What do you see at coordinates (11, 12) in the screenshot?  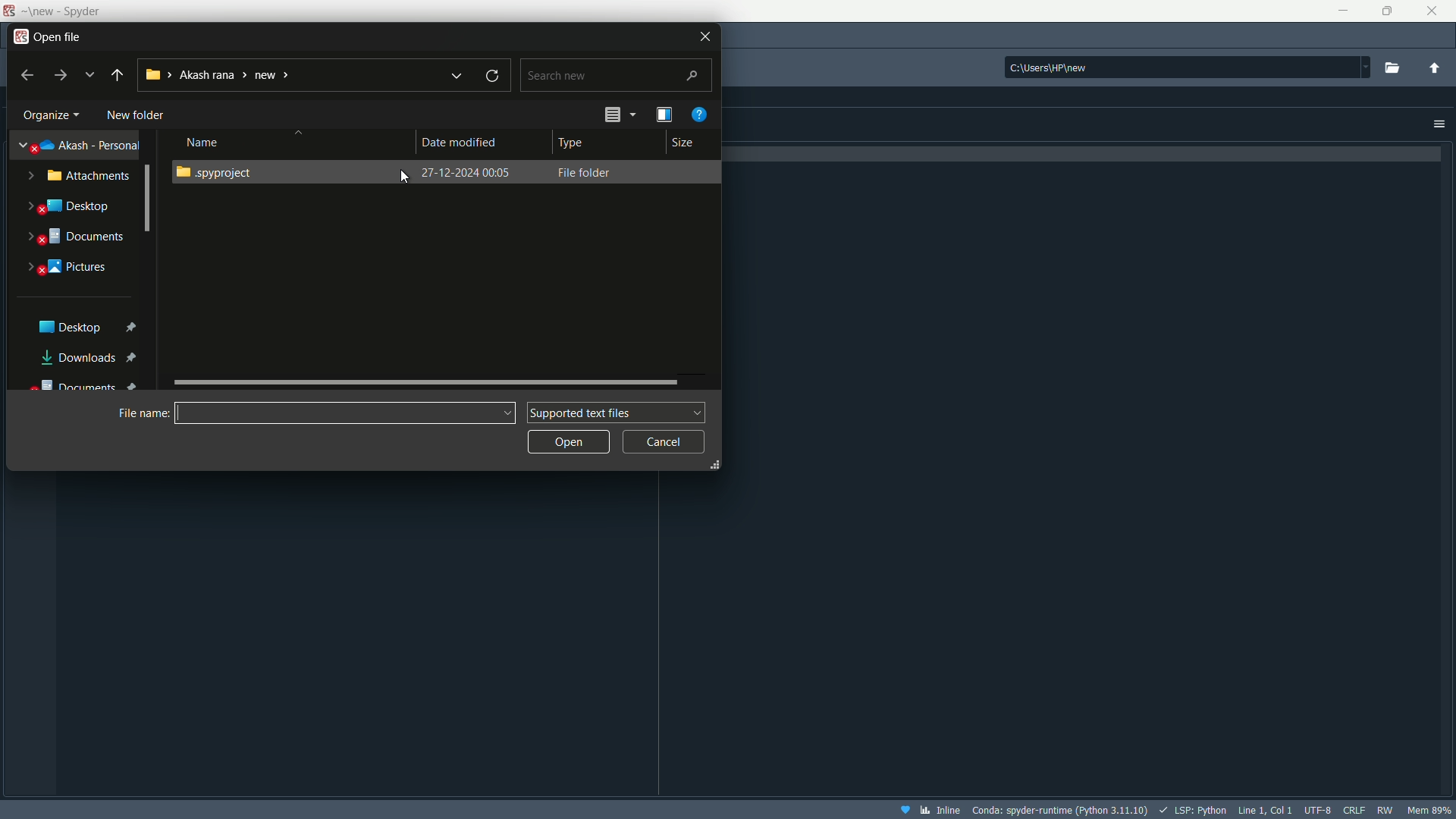 I see `App icon` at bounding box center [11, 12].